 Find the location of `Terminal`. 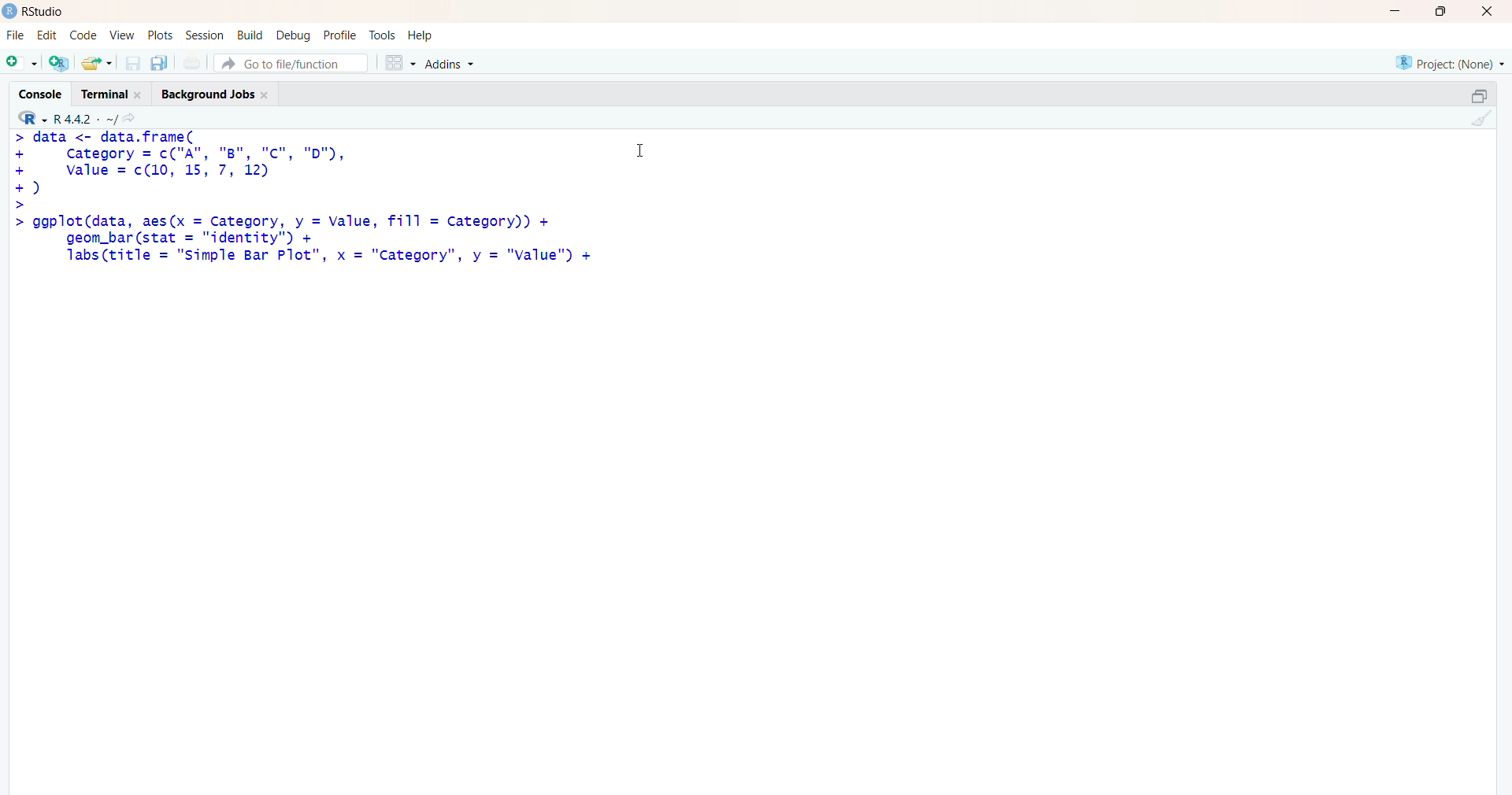

Terminal is located at coordinates (109, 92).